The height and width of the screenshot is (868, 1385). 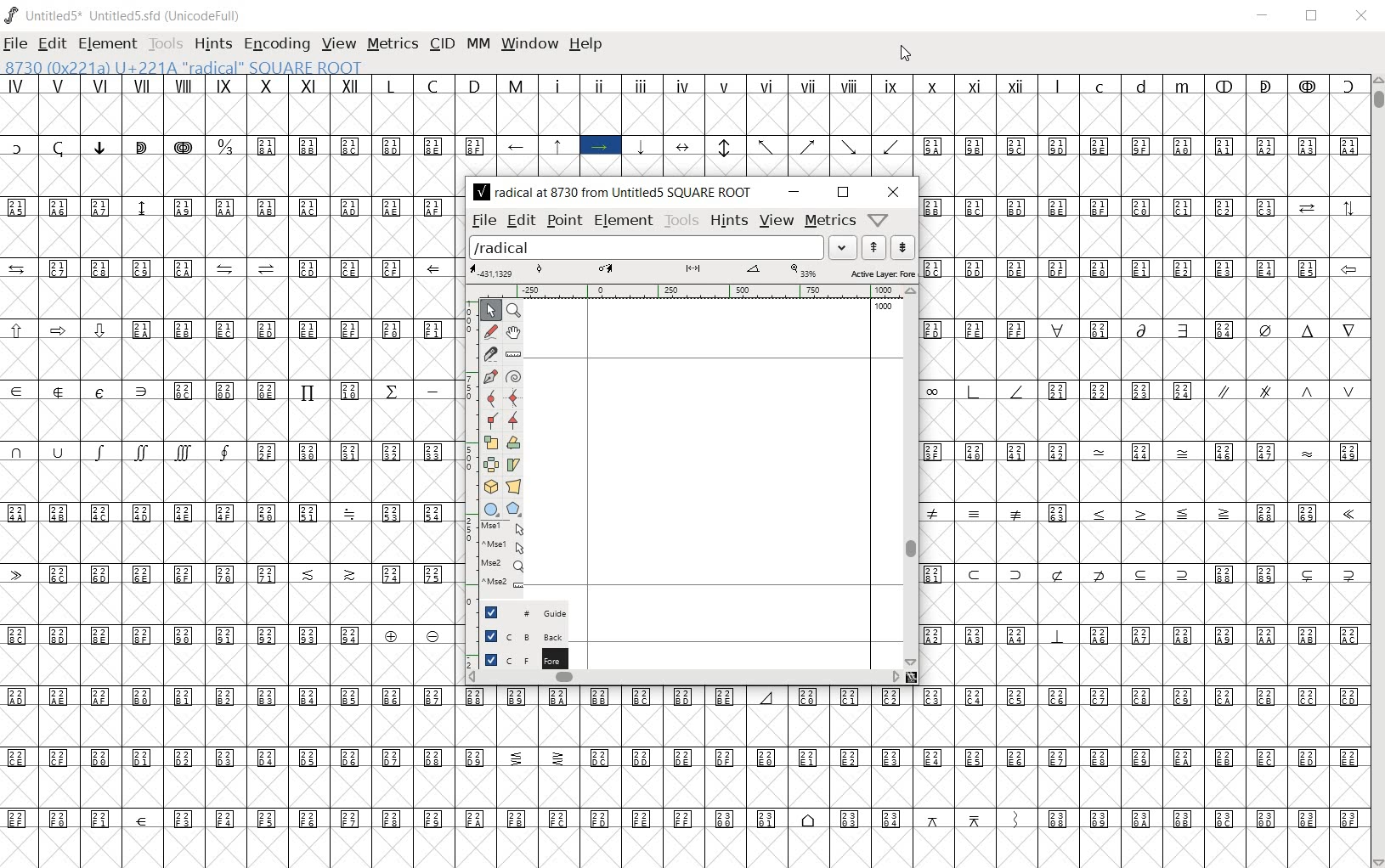 What do you see at coordinates (515, 352) in the screenshot?
I see `measure a distance, angle between points` at bounding box center [515, 352].